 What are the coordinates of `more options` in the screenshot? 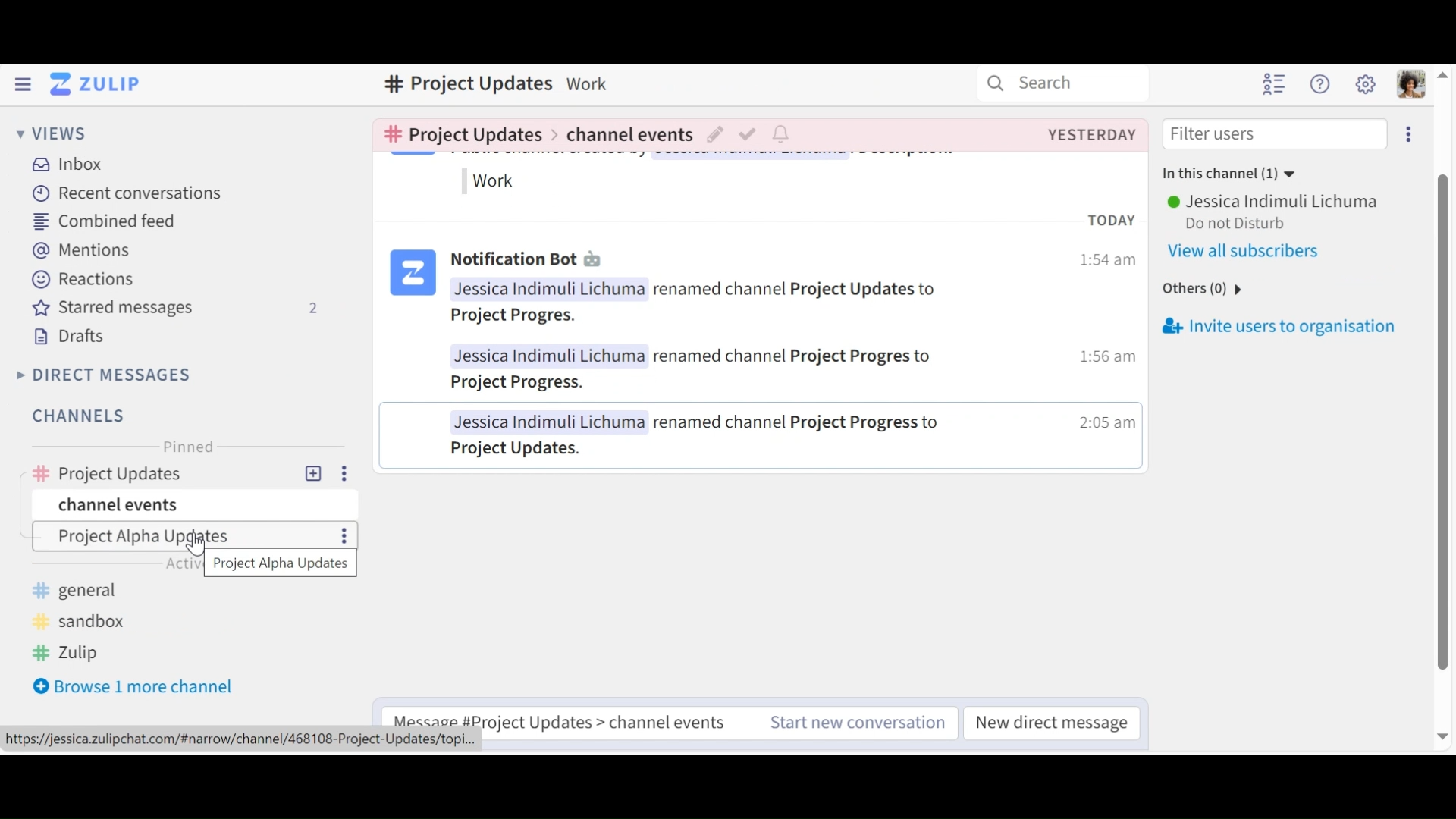 It's located at (347, 537).